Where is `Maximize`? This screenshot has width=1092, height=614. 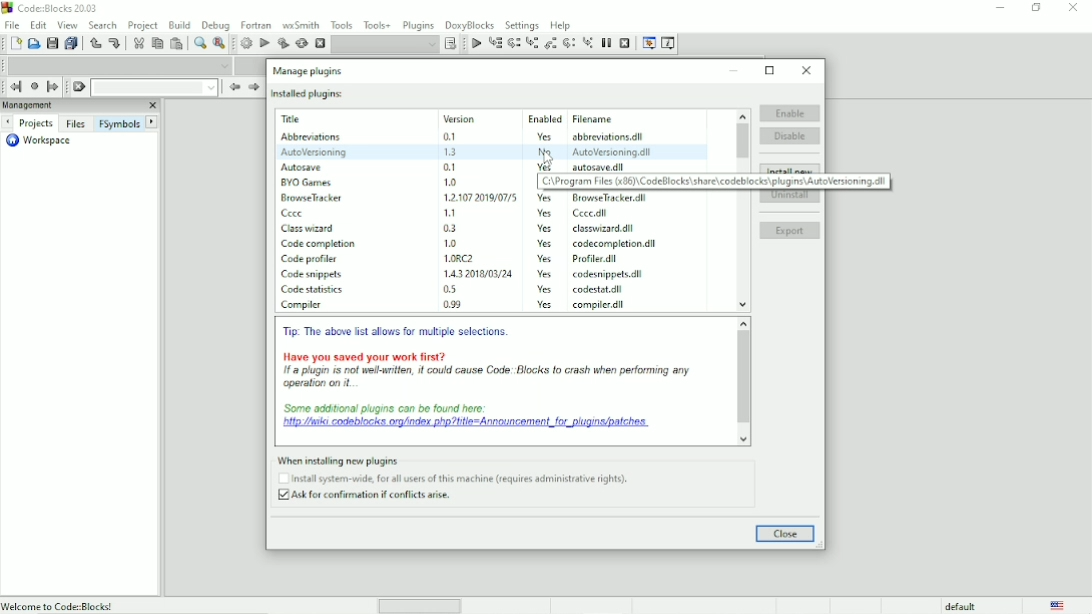 Maximize is located at coordinates (771, 70).